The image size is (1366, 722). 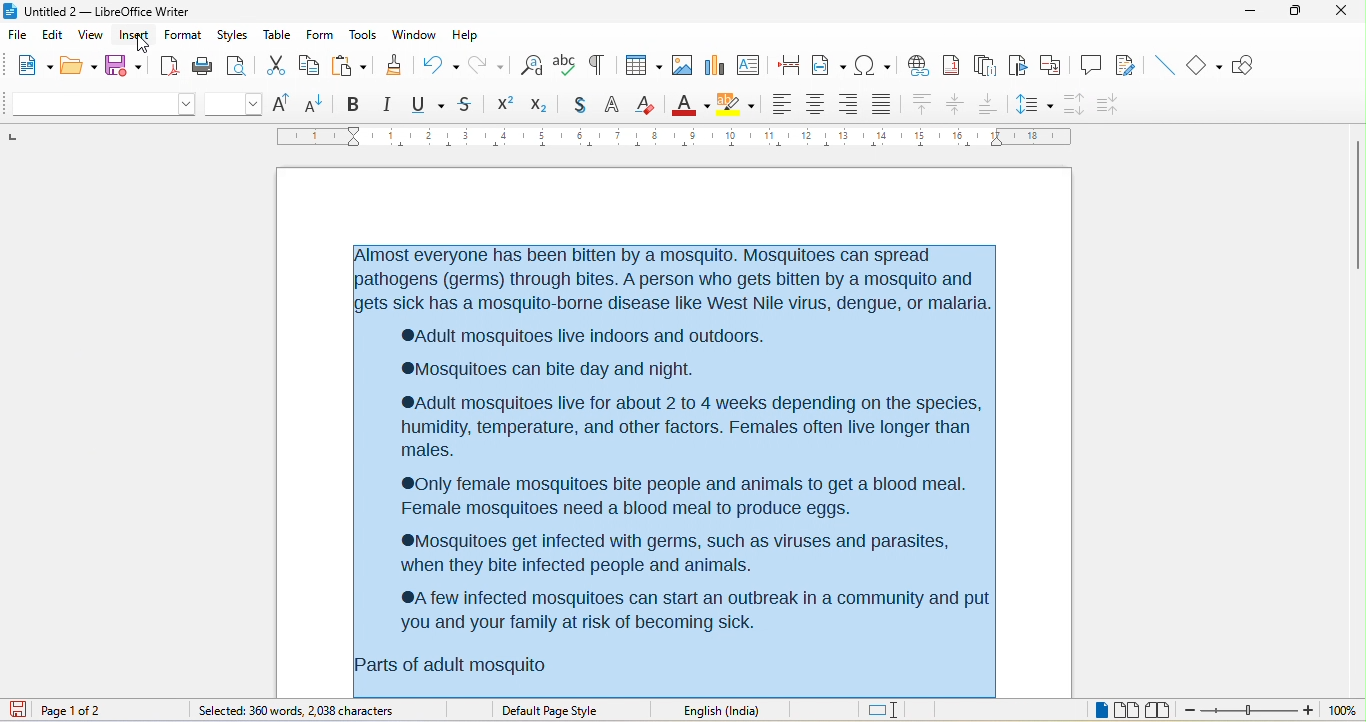 I want to click on center vertically, so click(x=955, y=104).